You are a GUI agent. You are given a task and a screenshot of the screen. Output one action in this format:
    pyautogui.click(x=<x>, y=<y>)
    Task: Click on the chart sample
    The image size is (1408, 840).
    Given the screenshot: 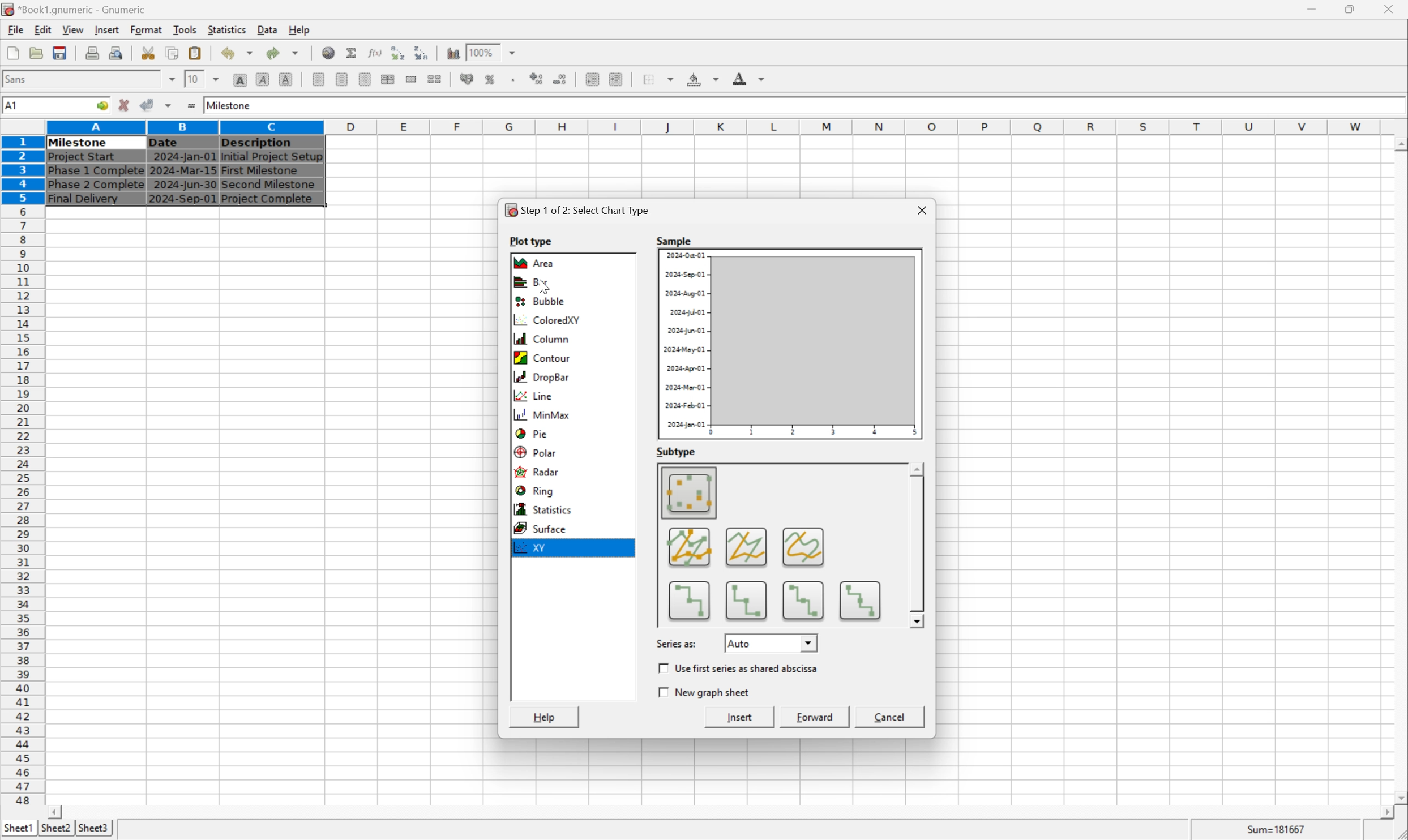 What is the action you would take?
    pyautogui.click(x=790, y=344)
    